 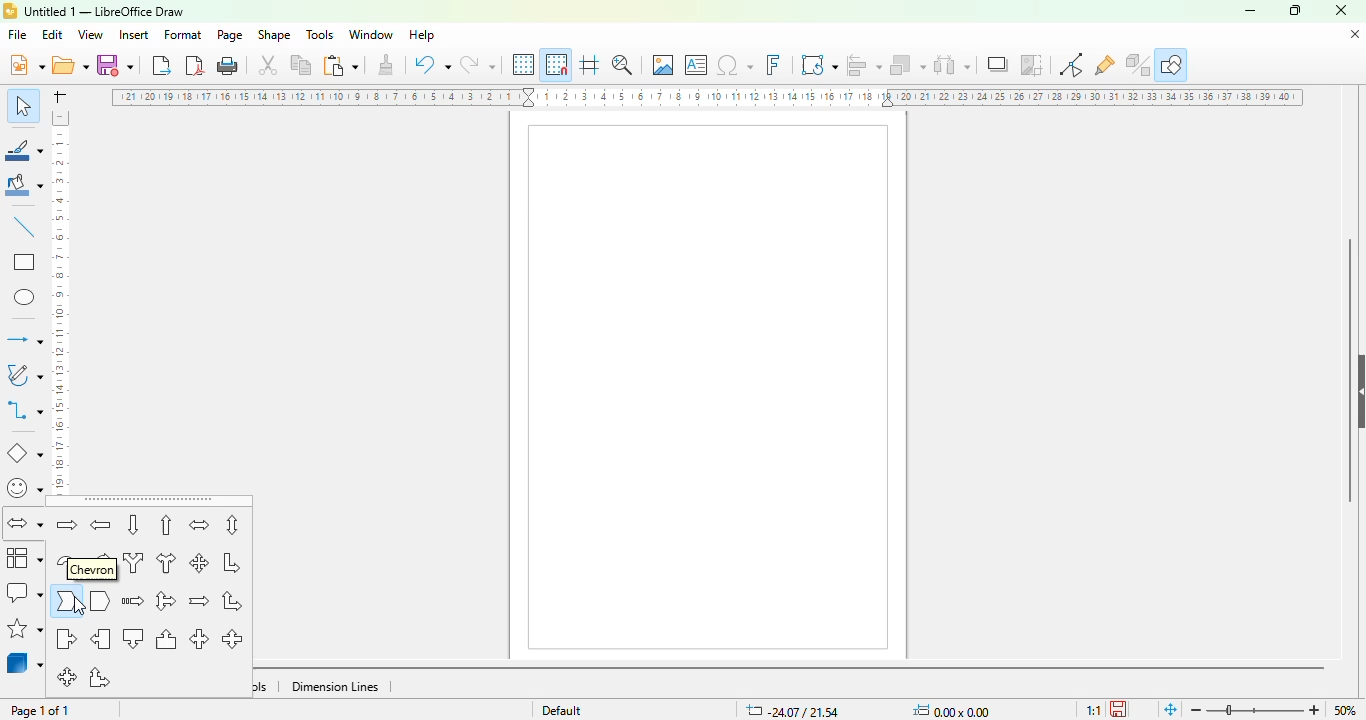 I want to click on right arrow, so click(x=66, y=525).